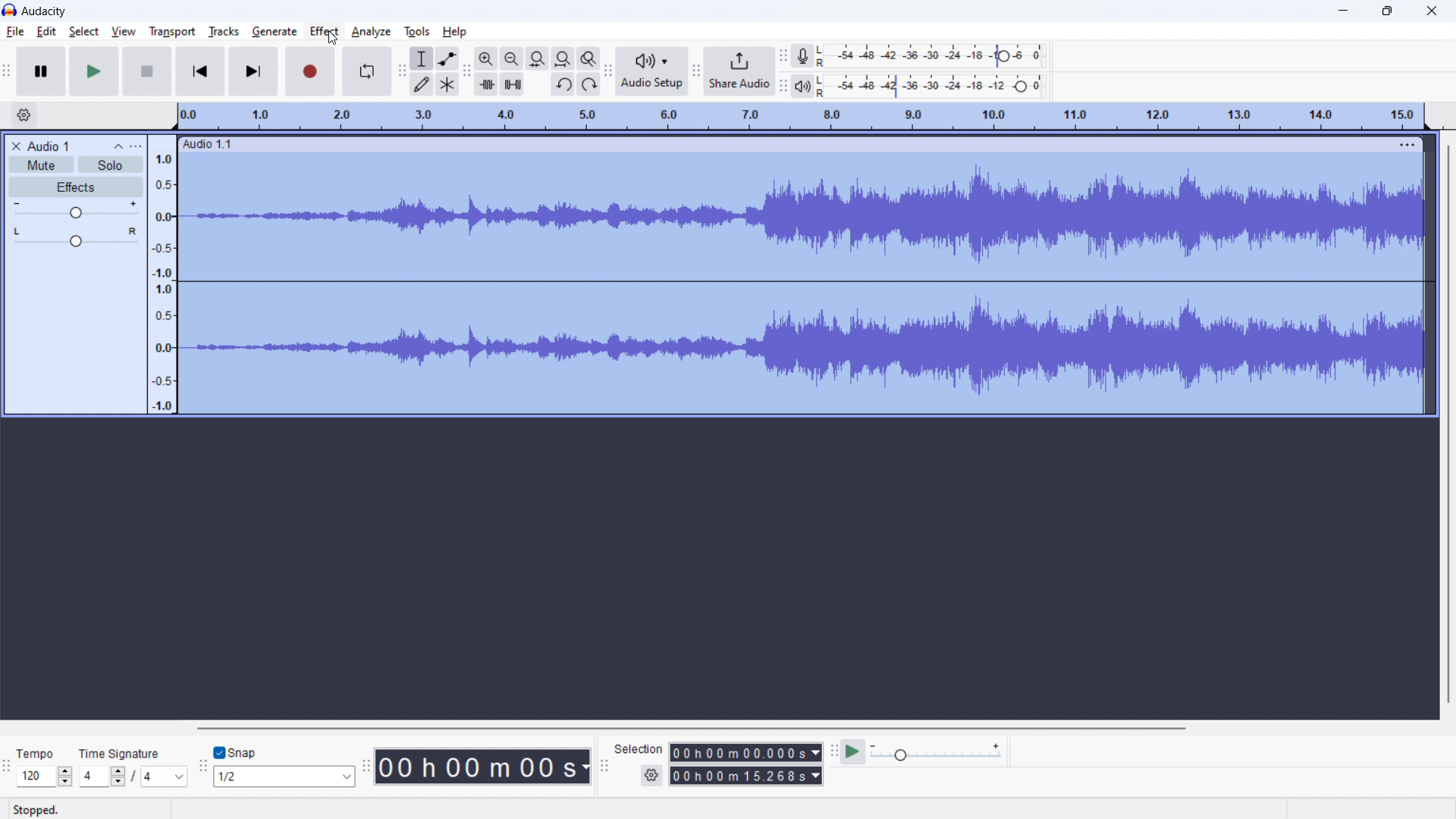  What do you see at coordinates (589, 58) in the screenshot?
I see `toggle zoom` at bounding box center [589, 58].